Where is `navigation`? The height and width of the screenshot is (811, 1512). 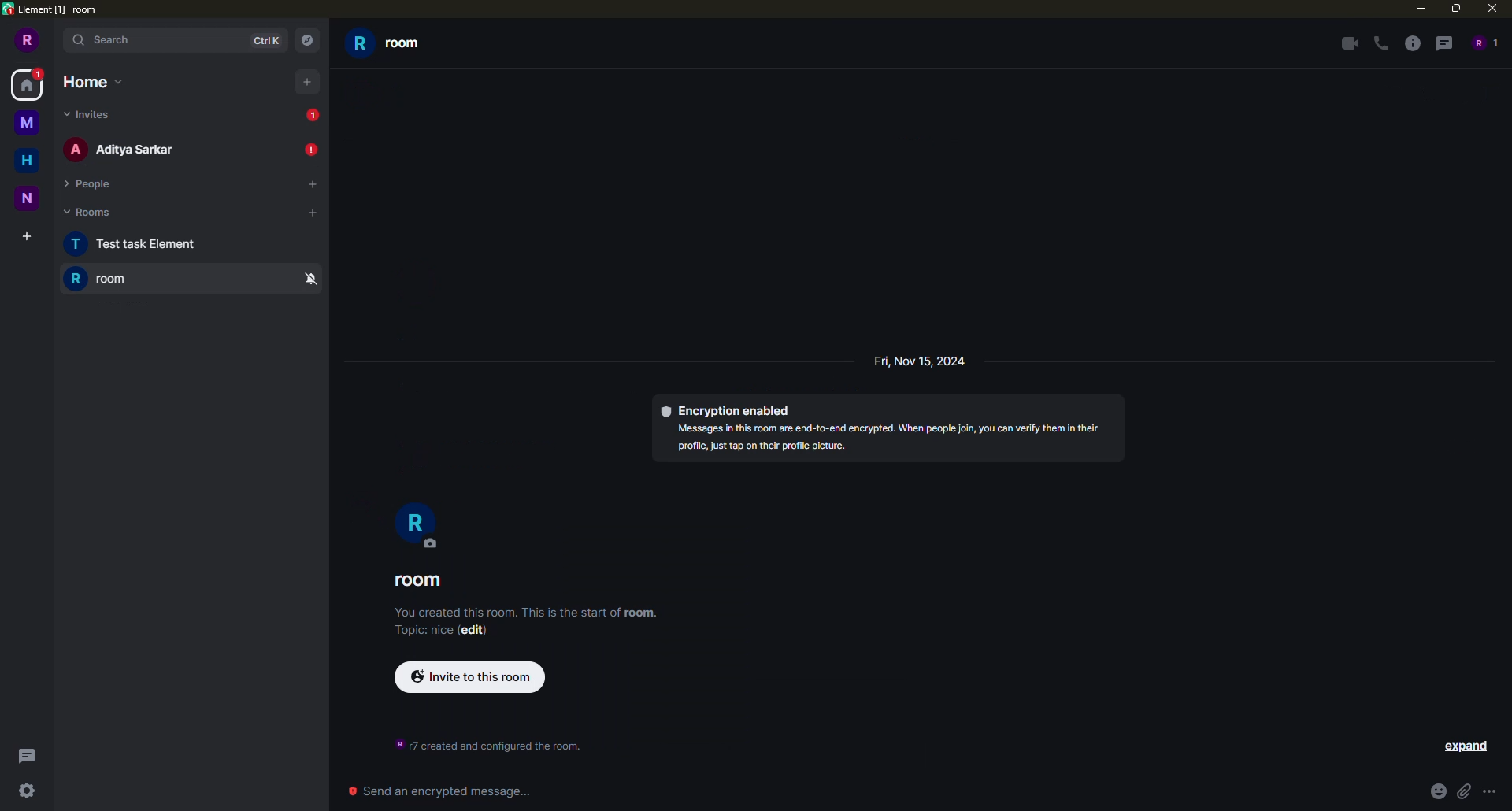
navigation is located at coordinates (306, 41).